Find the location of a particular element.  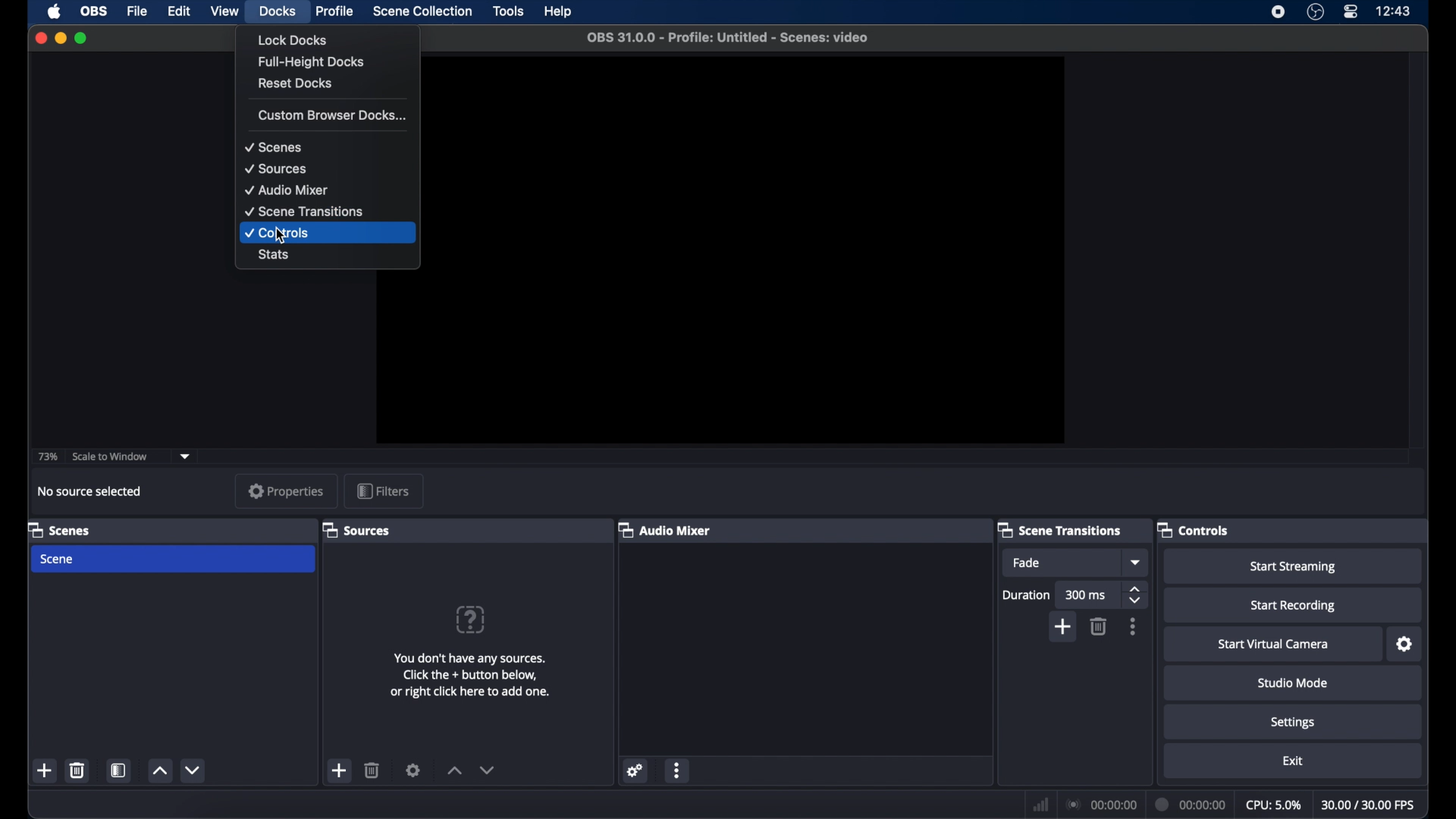

stepper buttons is located at coordinates (1136, 595).